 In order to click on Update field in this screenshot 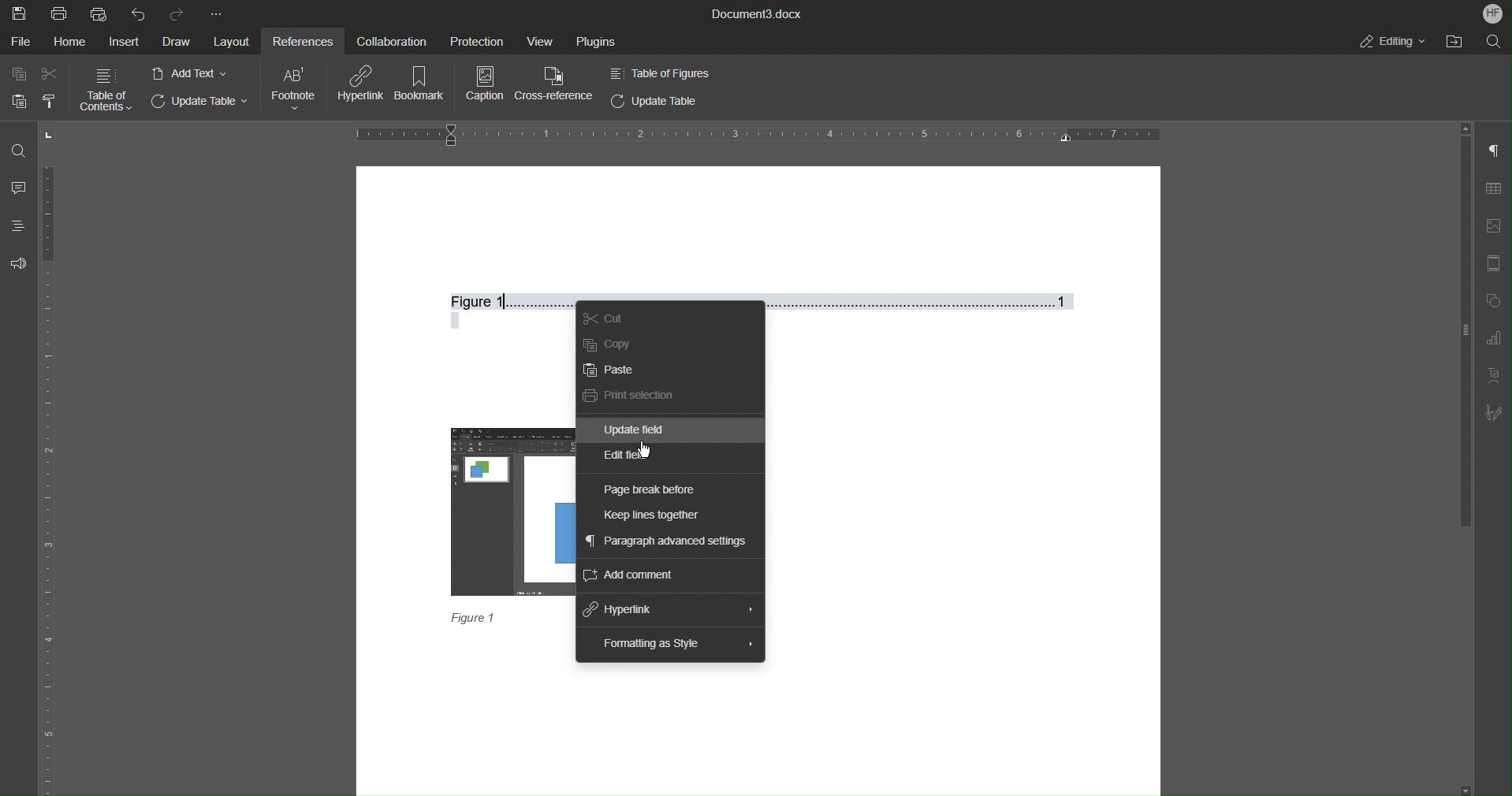, I will do `click(637, 430)`.